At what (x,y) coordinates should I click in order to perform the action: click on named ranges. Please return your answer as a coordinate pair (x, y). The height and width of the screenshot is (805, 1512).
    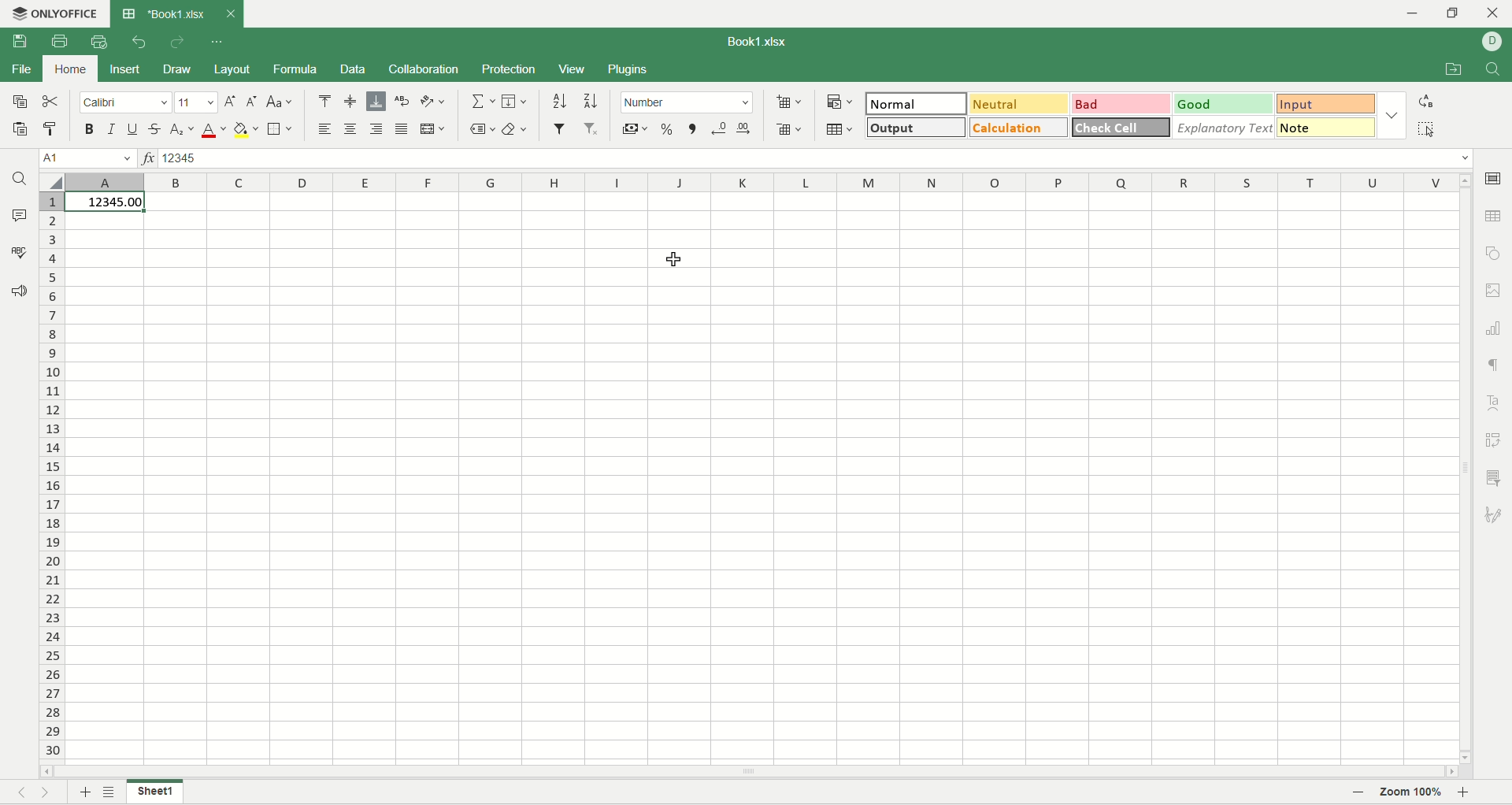
    Looking at the image, I should click on (484, 130).